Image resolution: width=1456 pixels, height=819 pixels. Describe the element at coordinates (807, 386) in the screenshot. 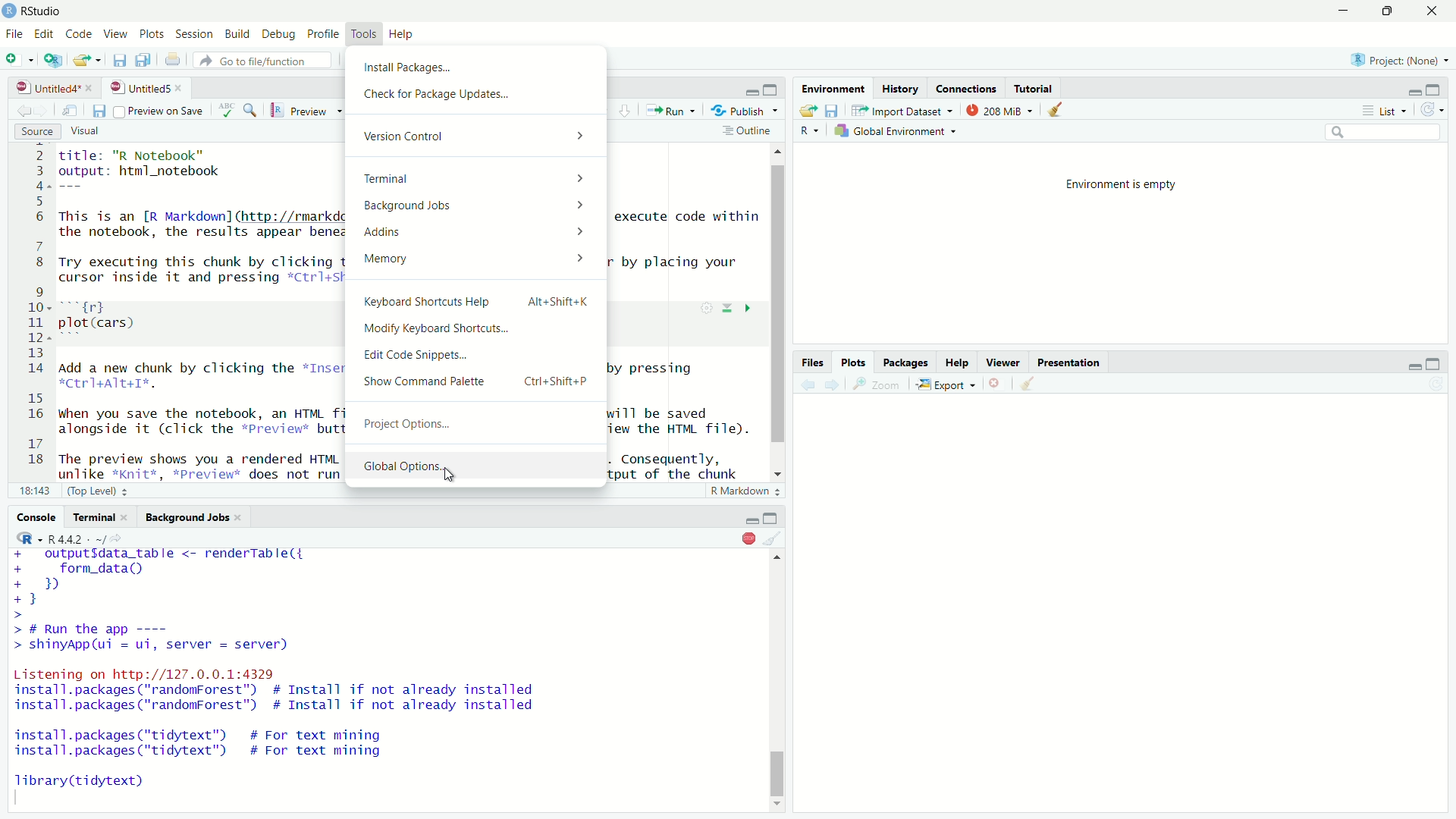

I see `move backward` at that location.